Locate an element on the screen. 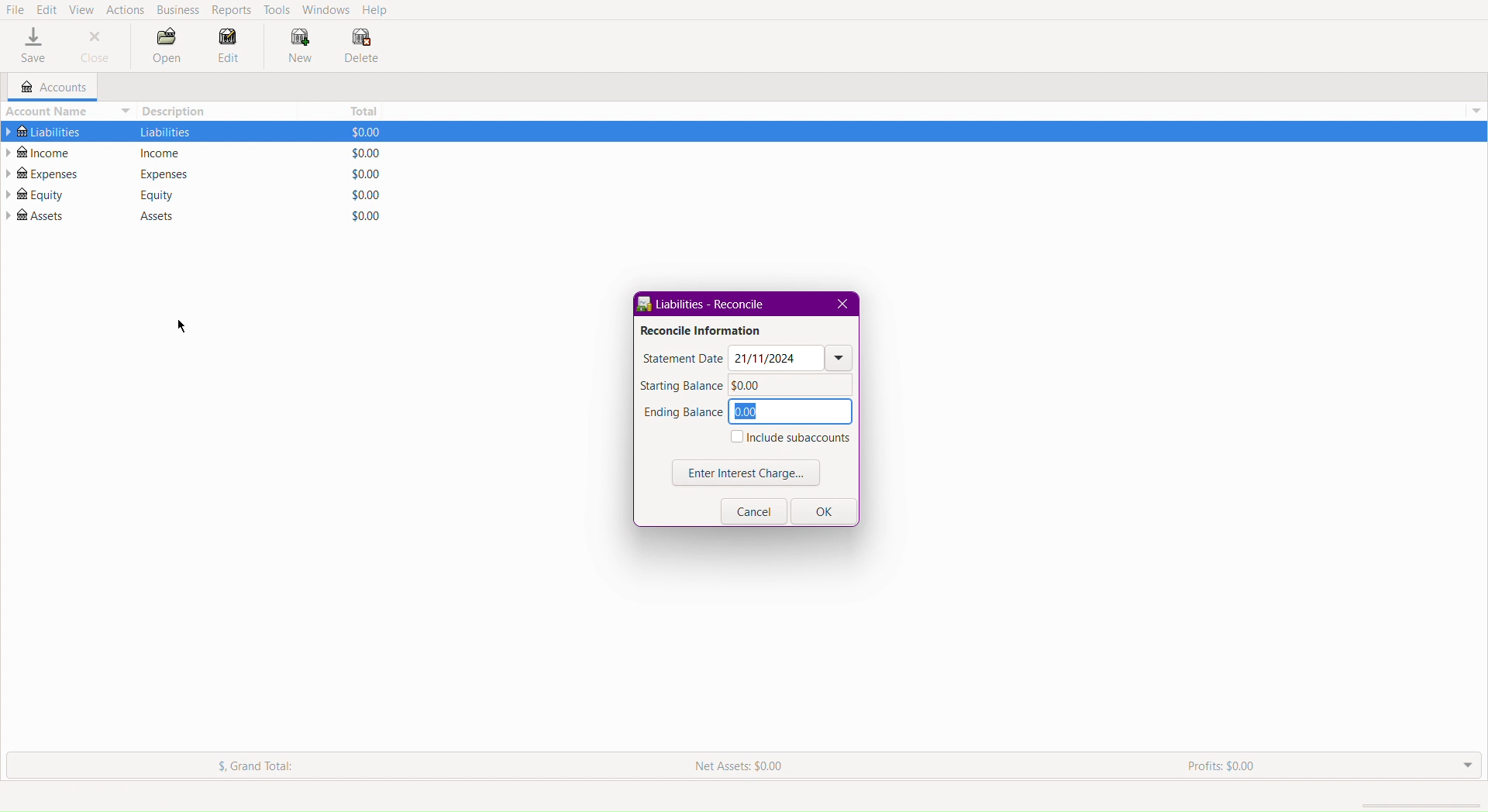 This screenshot has height=812, width=1488. Help is located at coordinates (382, 10).